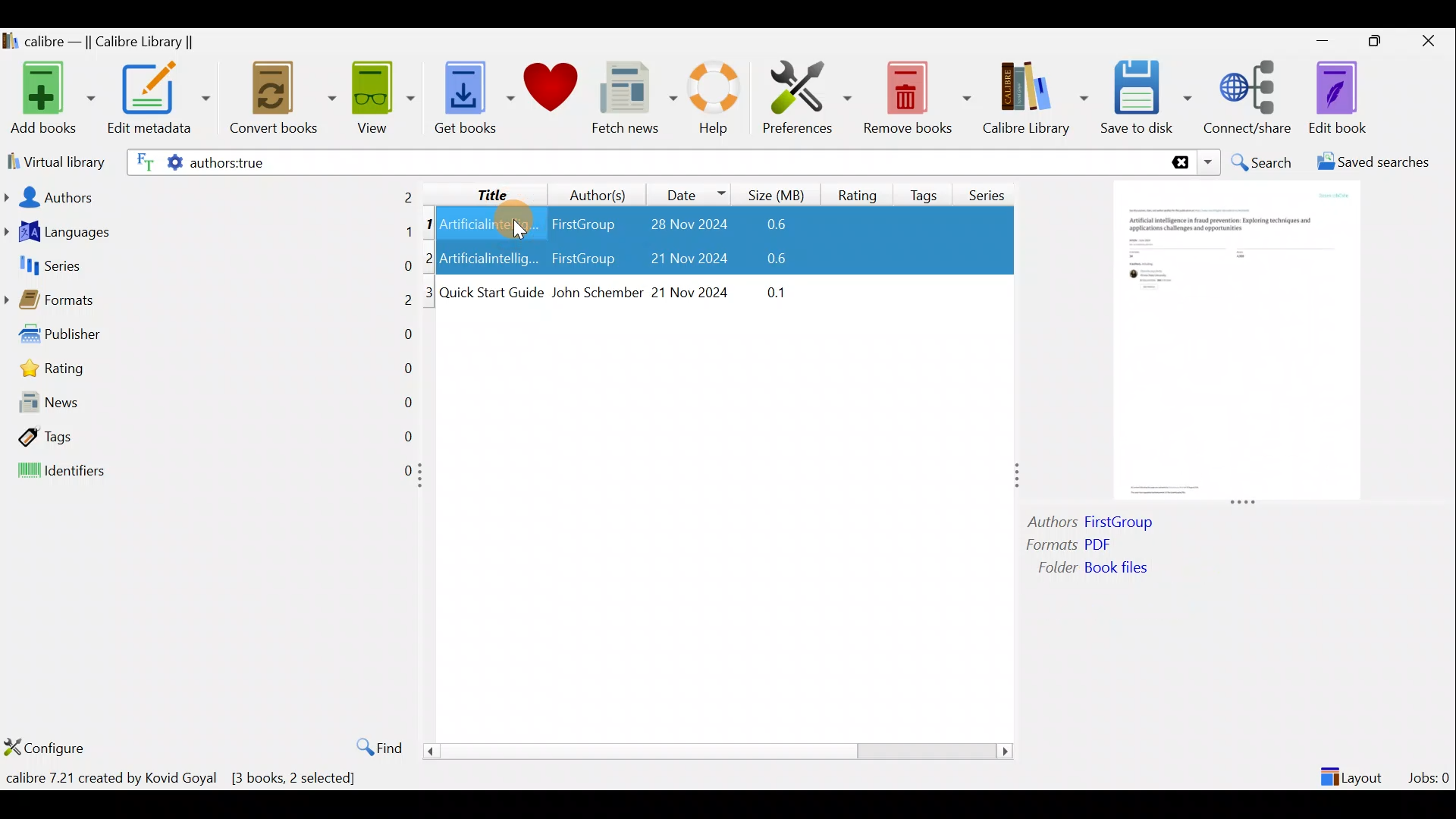  What do you see at coordinates (927, 189) in the screenshot?
I see `Tags` at bounding box center [927, 189].